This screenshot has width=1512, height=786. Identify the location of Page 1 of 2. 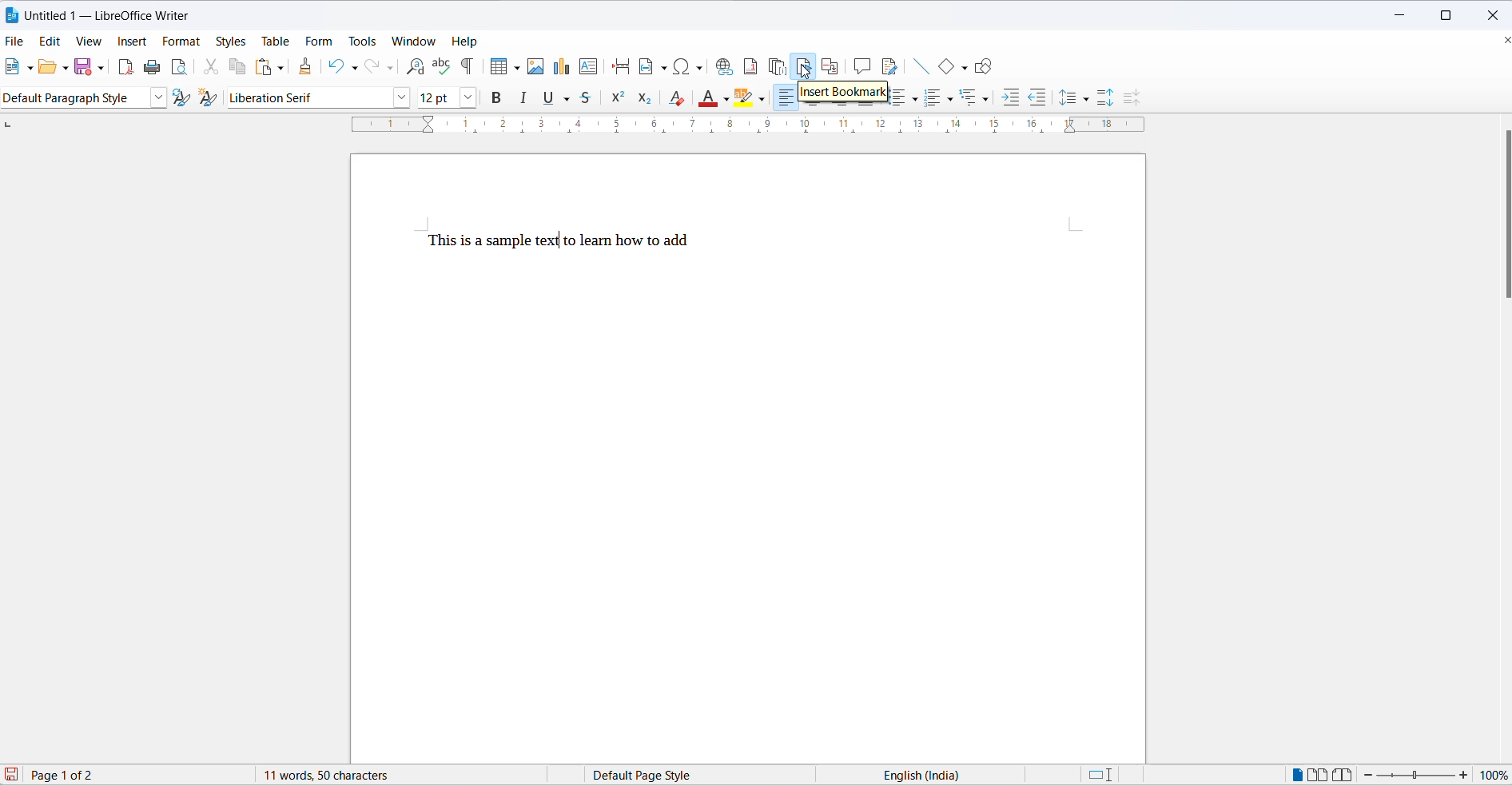
(83, 774).